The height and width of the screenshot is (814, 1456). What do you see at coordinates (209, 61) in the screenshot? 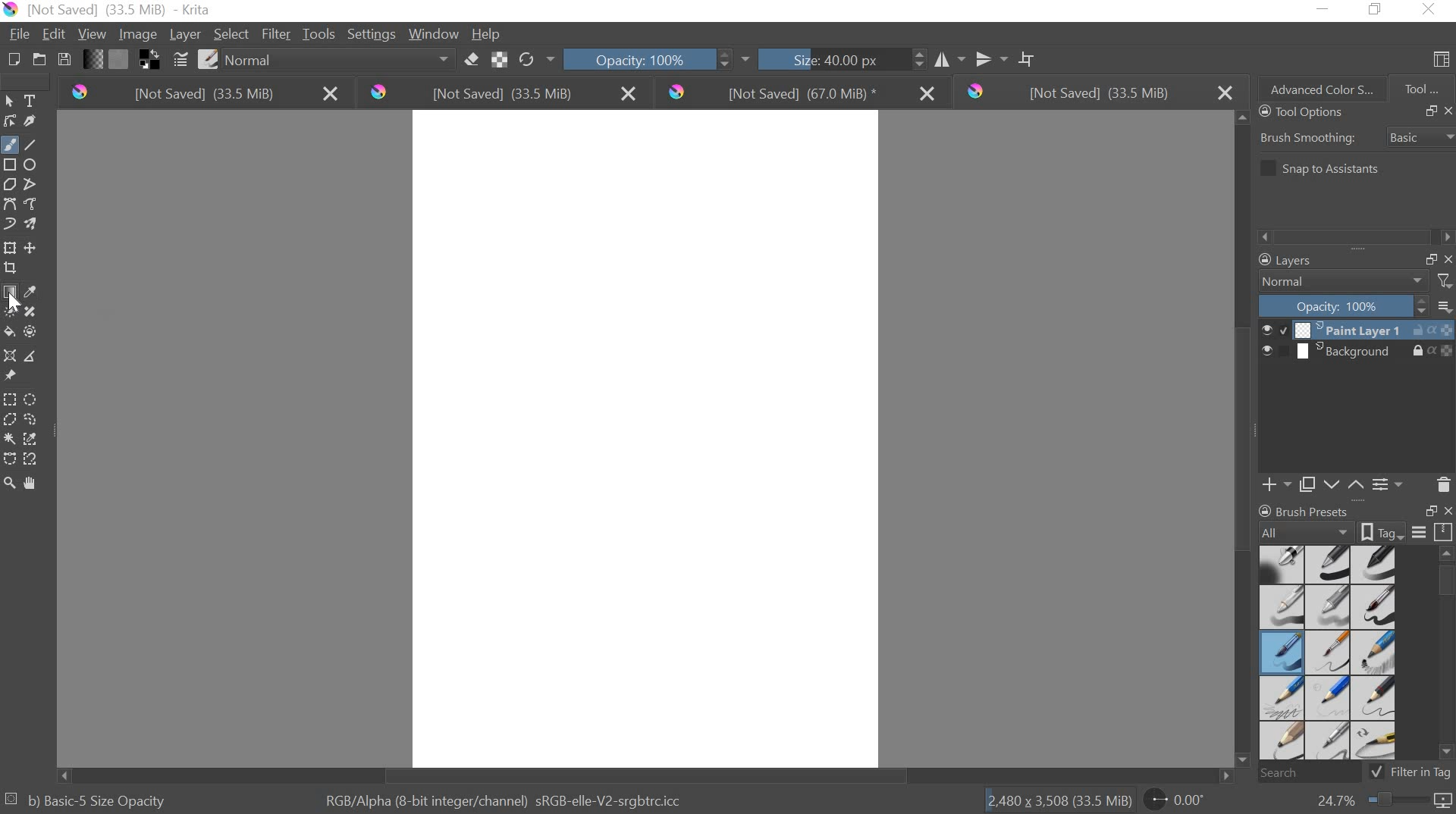
I see `CHOOSE BRUSH PRESET` at bounding box center [209, 61].